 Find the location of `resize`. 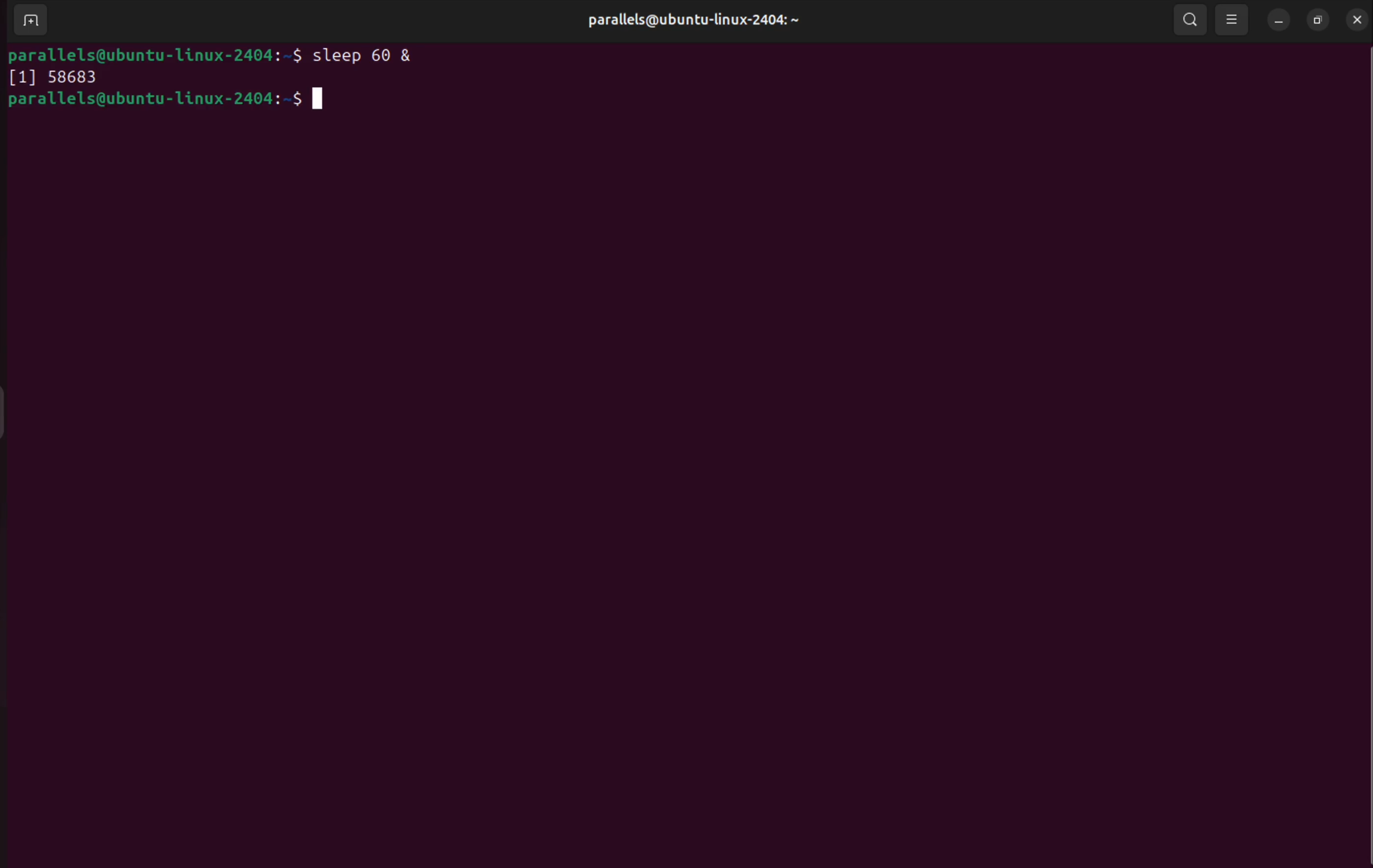

resize is located at coordinates (1318, 20).